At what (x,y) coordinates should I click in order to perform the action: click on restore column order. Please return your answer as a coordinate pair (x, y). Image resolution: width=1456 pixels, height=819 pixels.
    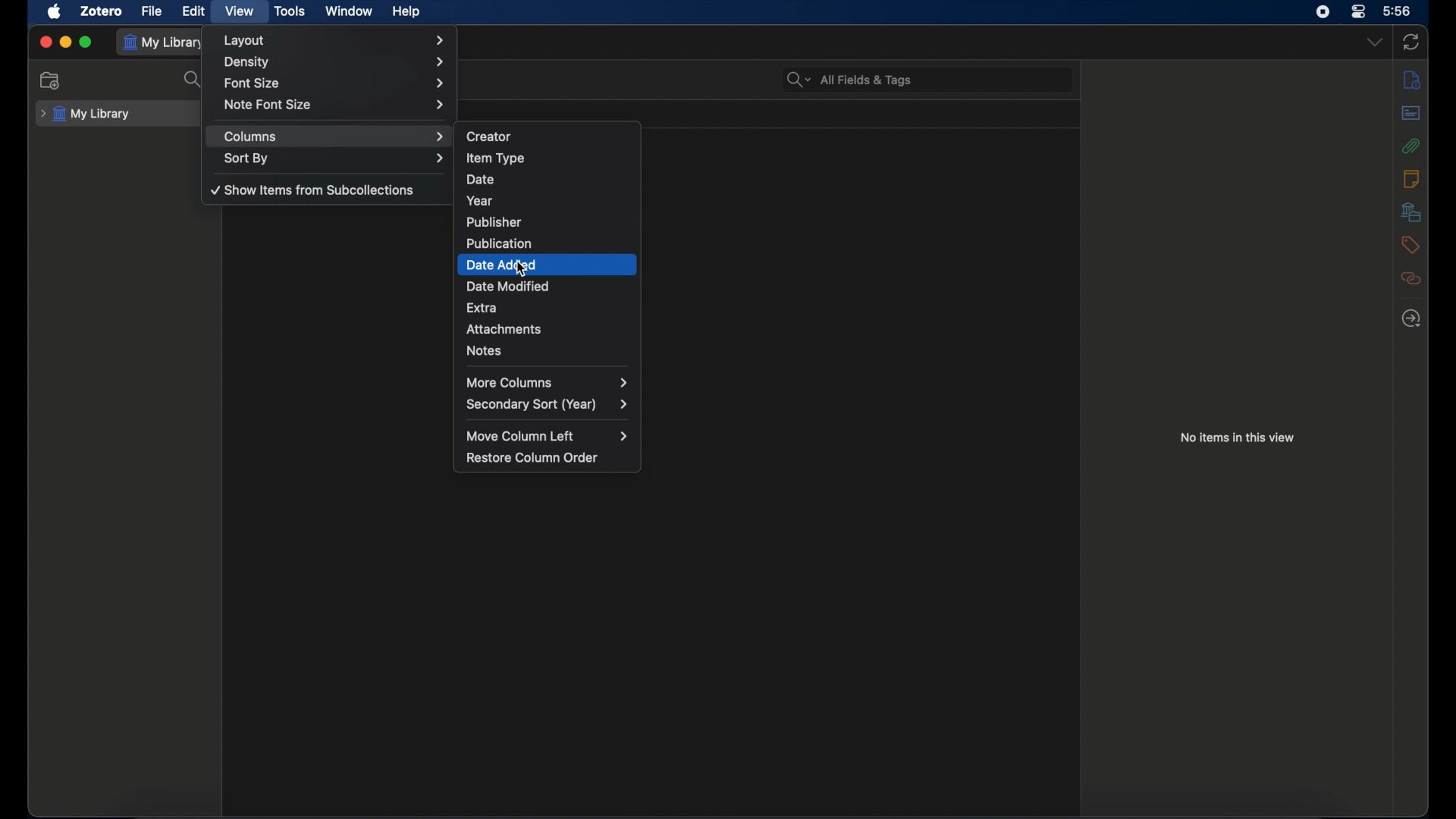
    Looking at the image, I should click on (533, 458).